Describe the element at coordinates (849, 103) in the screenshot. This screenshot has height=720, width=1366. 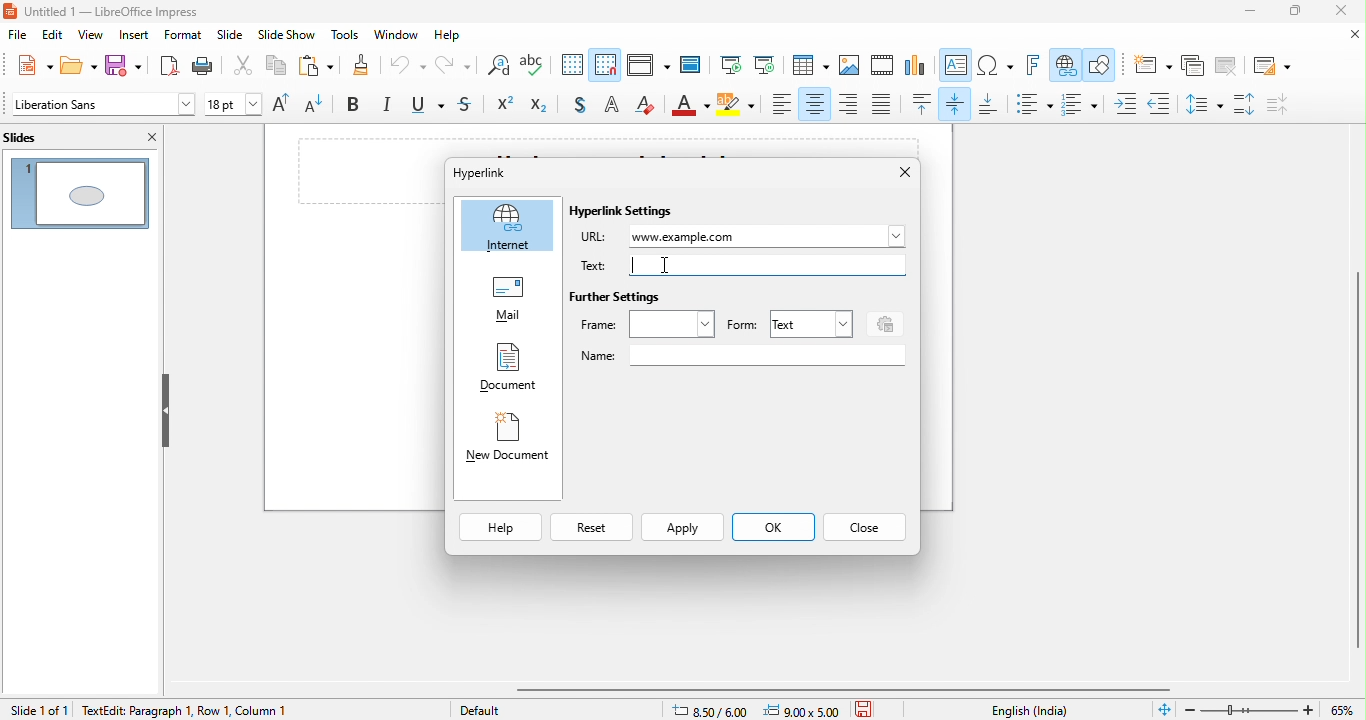
I see `align right` at that location.